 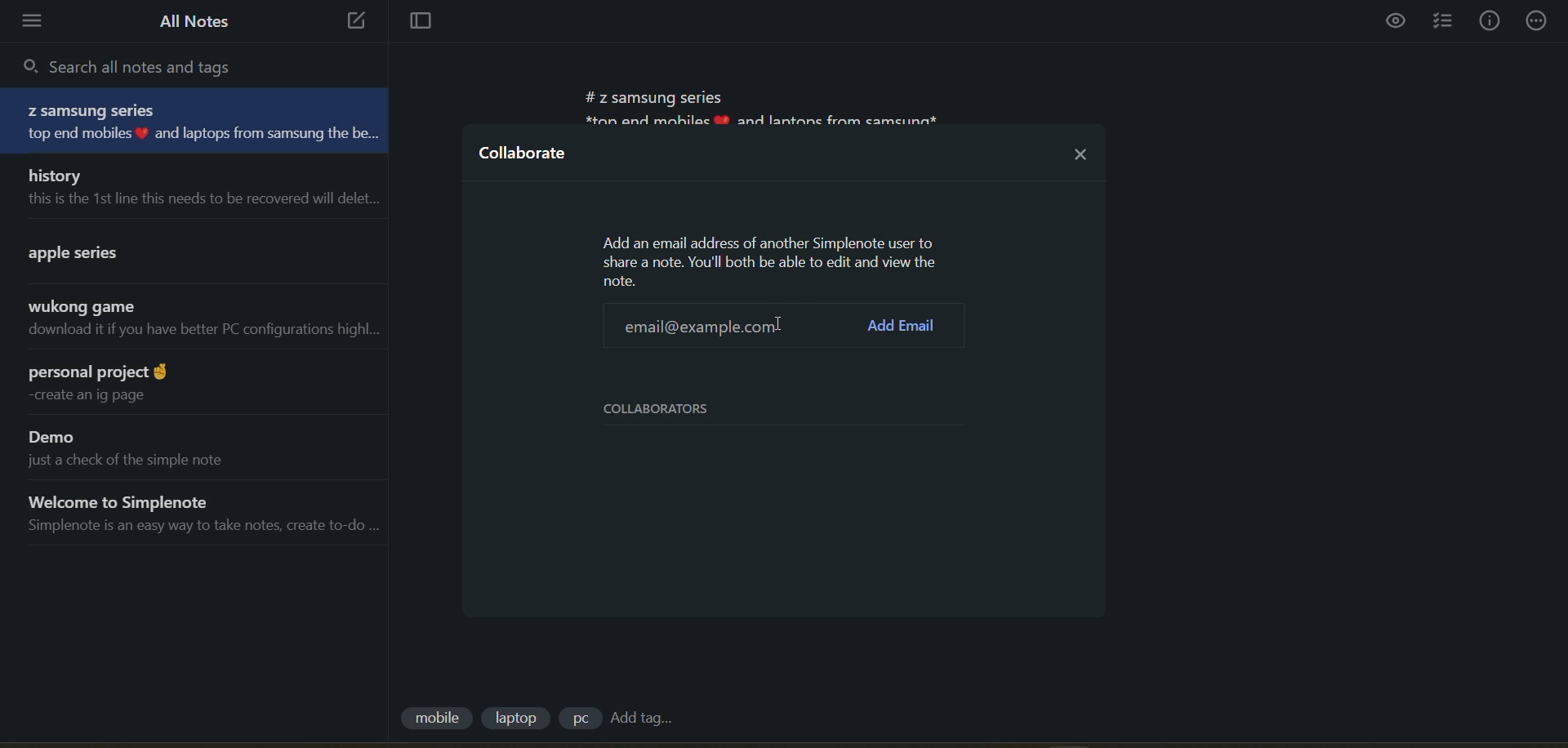 What do you see at coordinates (1490, 21) in the screenshot?
I see `info` at bounding box center [1490, 21].